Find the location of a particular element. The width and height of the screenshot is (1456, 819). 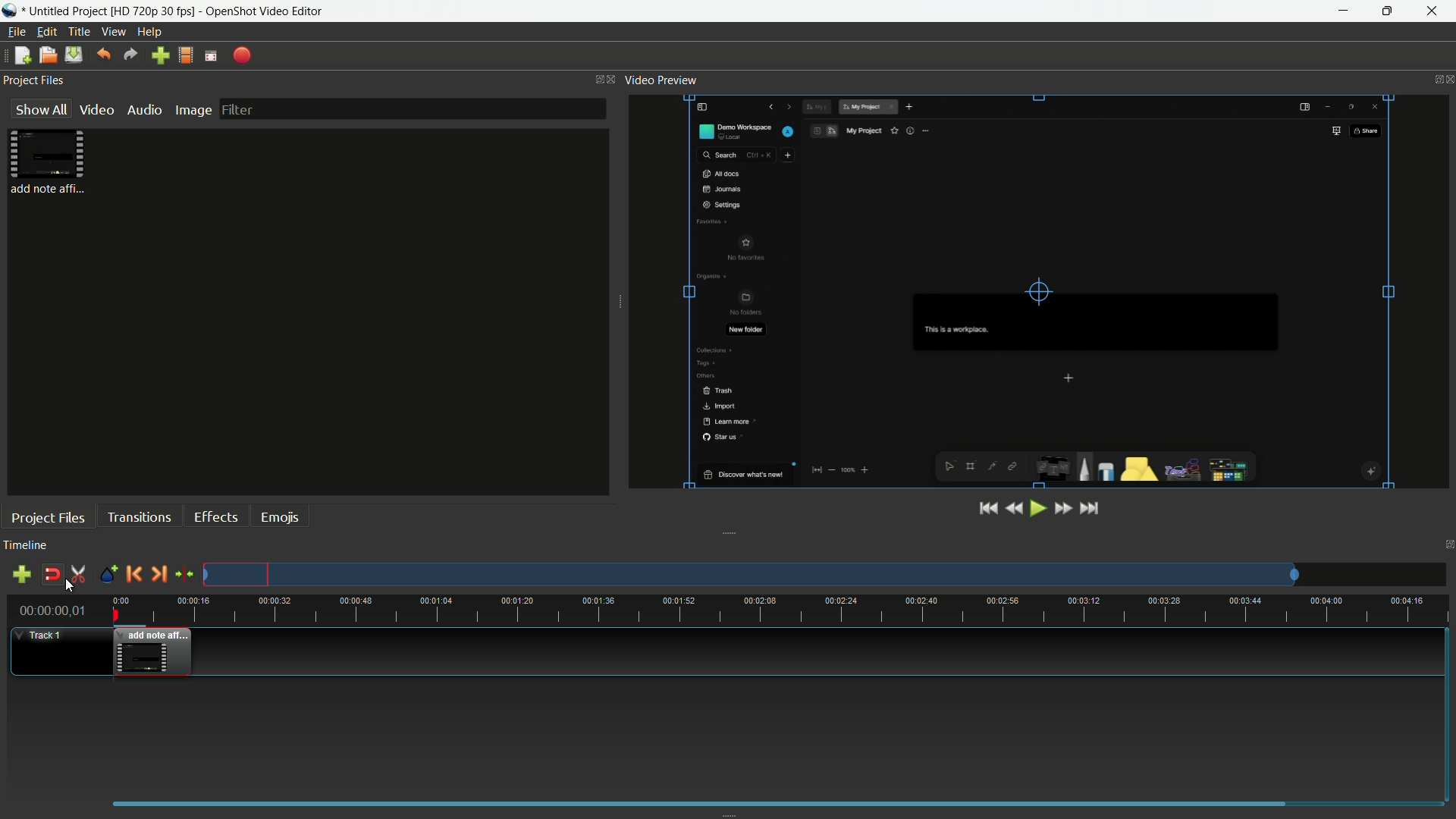

redo is located at coordinates (129, 55).